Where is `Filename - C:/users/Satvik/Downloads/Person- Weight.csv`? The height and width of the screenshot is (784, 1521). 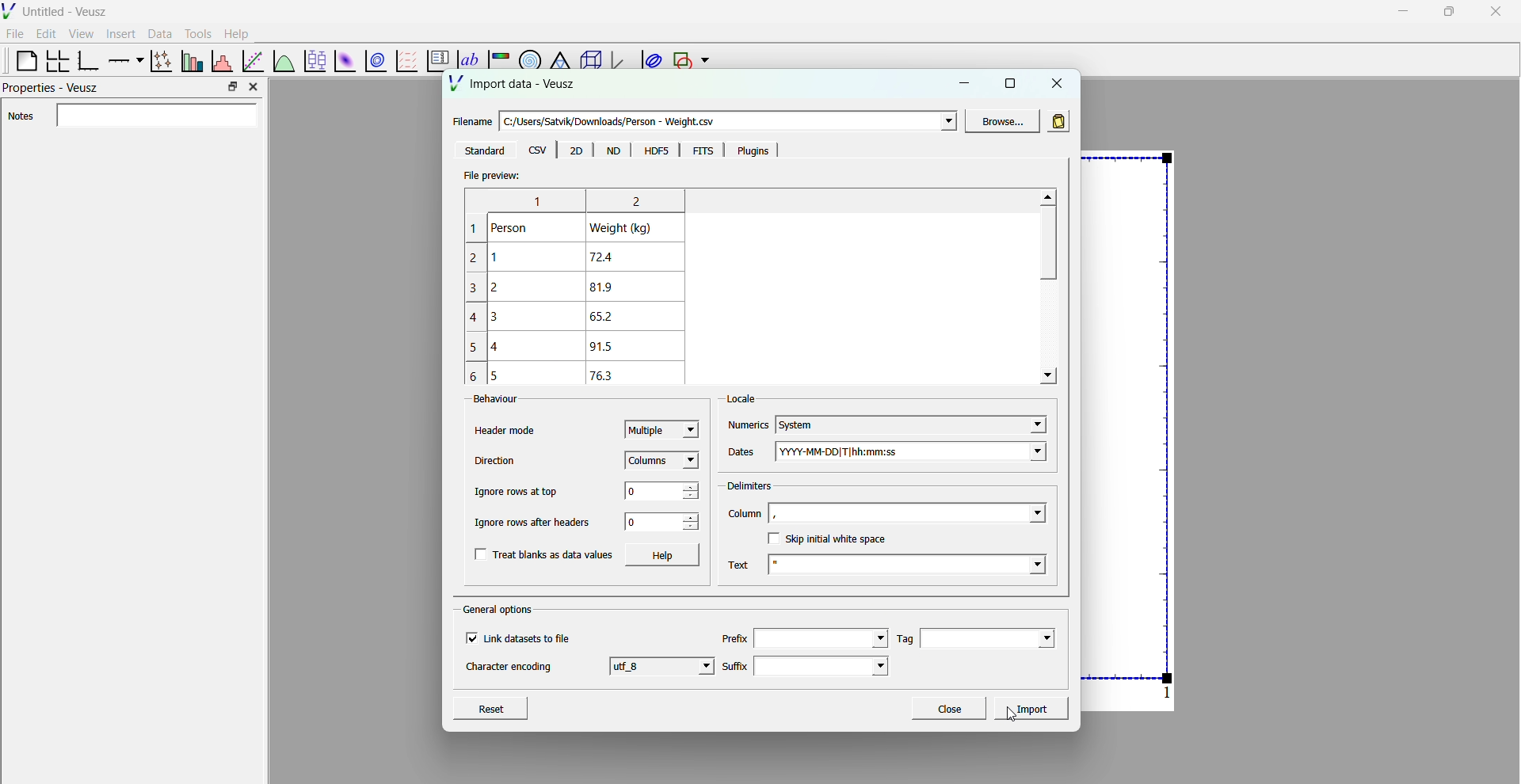 Filename - C:/users/Satvik/Downloads/Person- Weight.csv is located at coordinates (603, 116).